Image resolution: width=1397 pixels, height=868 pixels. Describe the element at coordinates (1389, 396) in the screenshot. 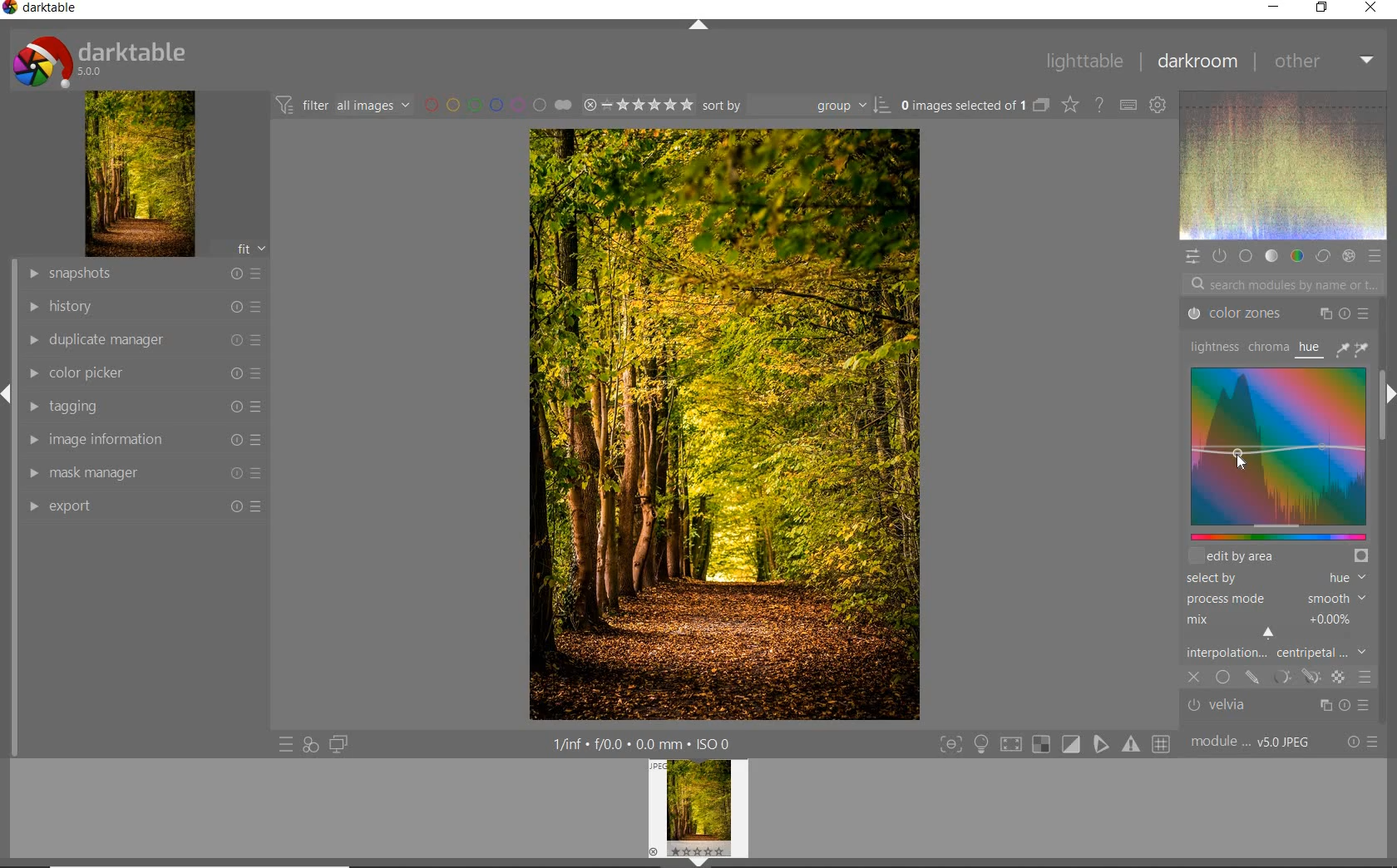

I see `EXPAND/COLLAPSE` at that location.